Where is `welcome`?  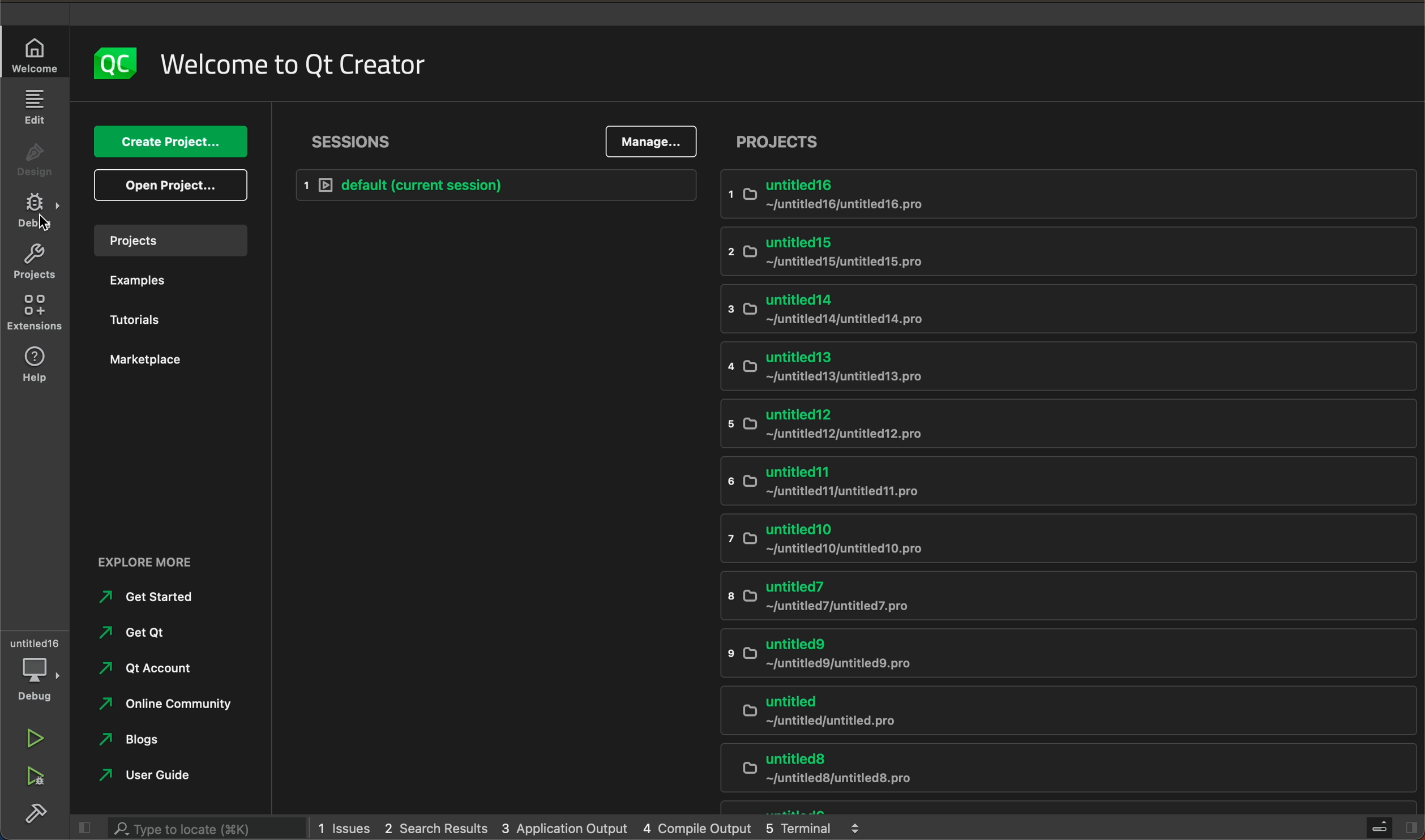
welcome is located at coordinates (38, 53).